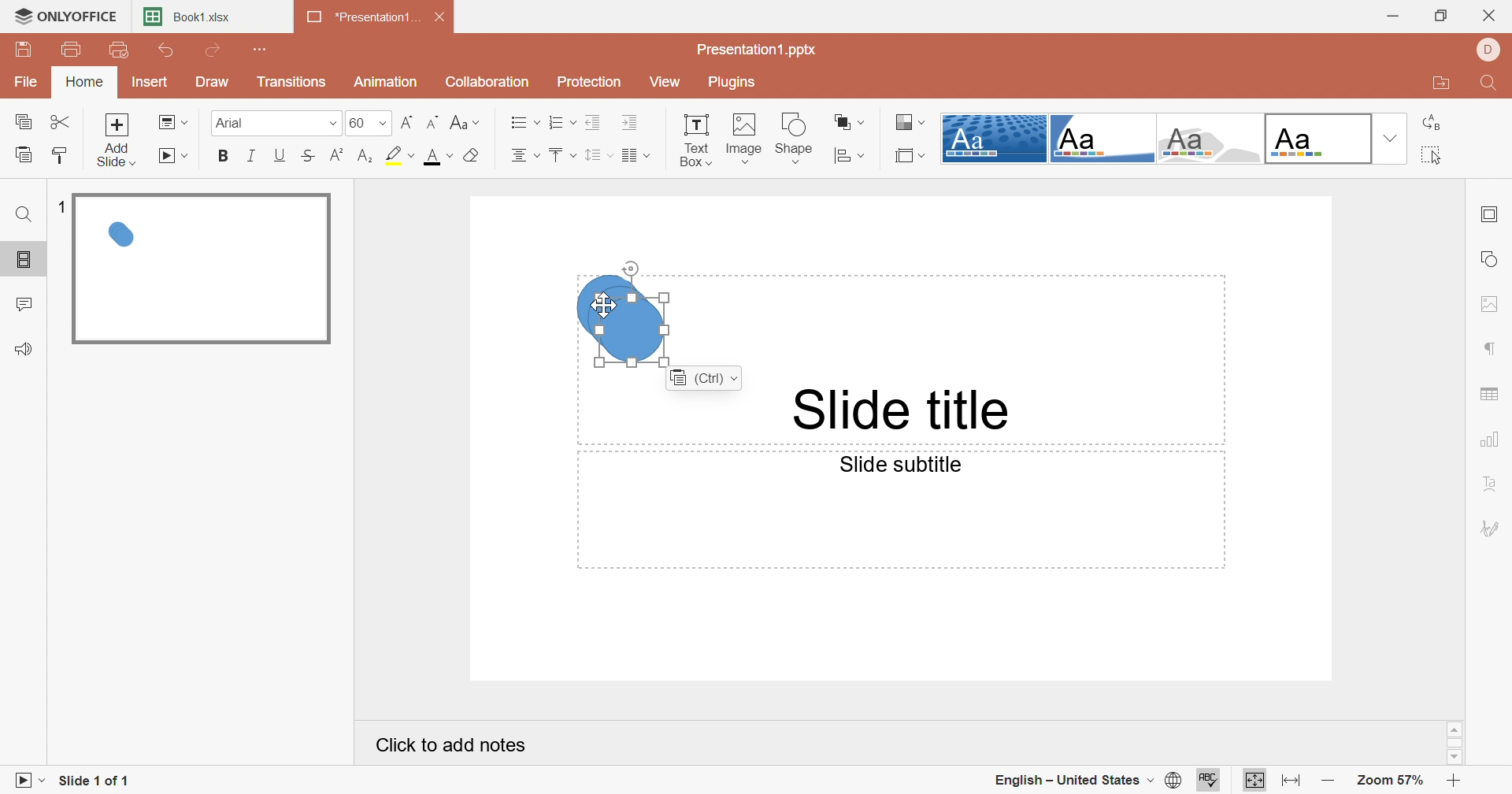 The height and width of the screenshot is (794, 1512). I want to click on Comments, so click(24, 306).